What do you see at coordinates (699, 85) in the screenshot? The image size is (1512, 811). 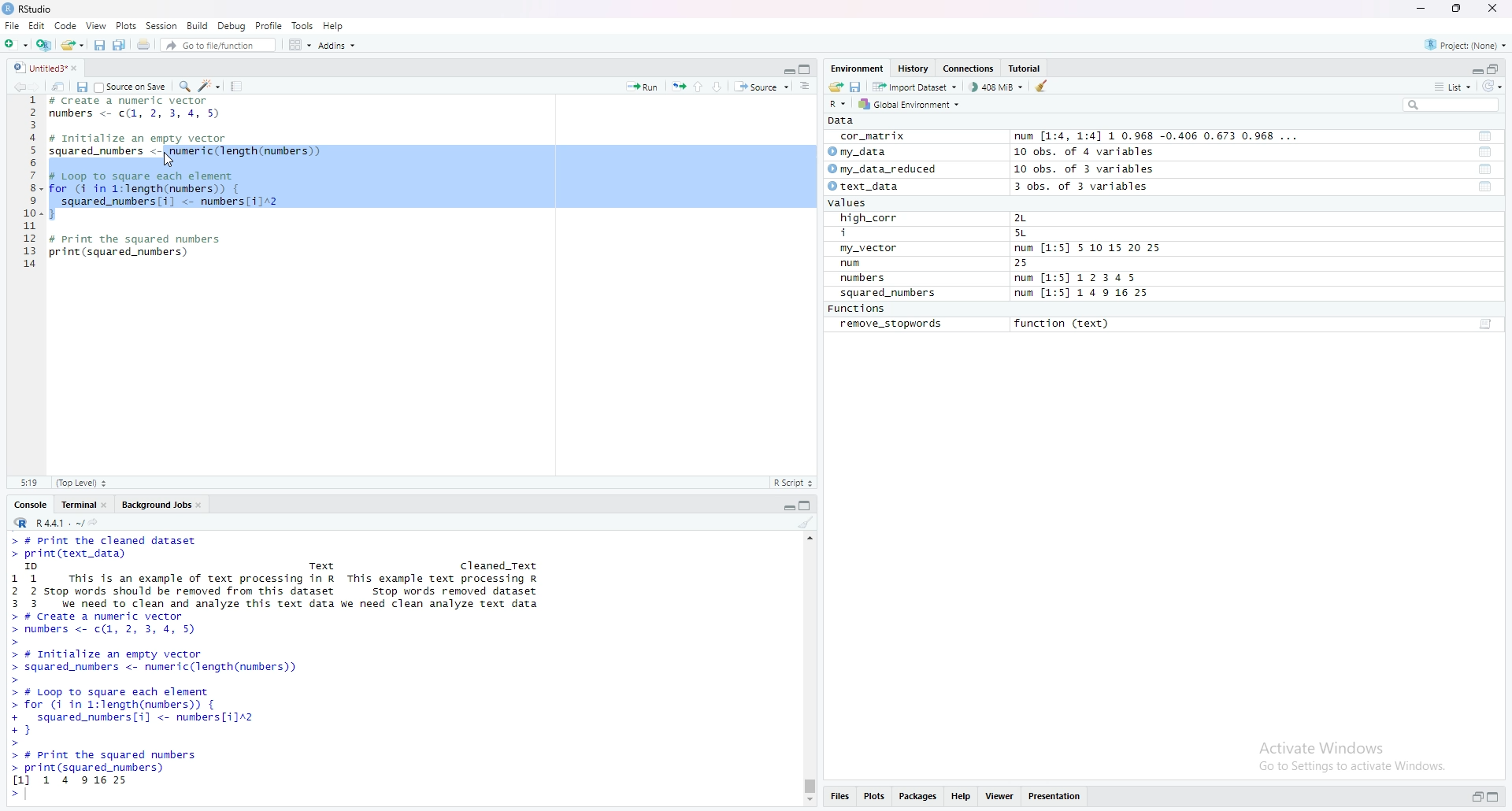 I see `up` at bounding box center [699, 85].